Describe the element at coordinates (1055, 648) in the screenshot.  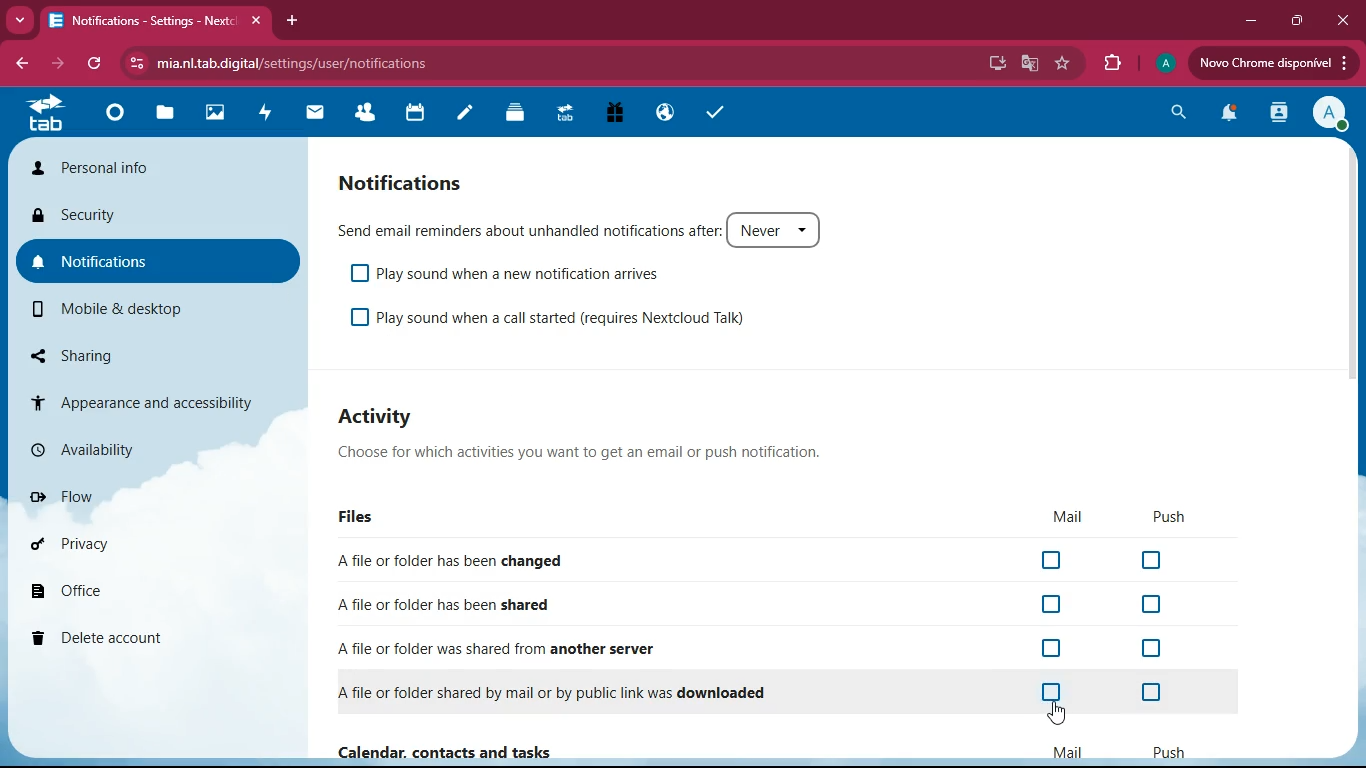
I see `off` at that location.